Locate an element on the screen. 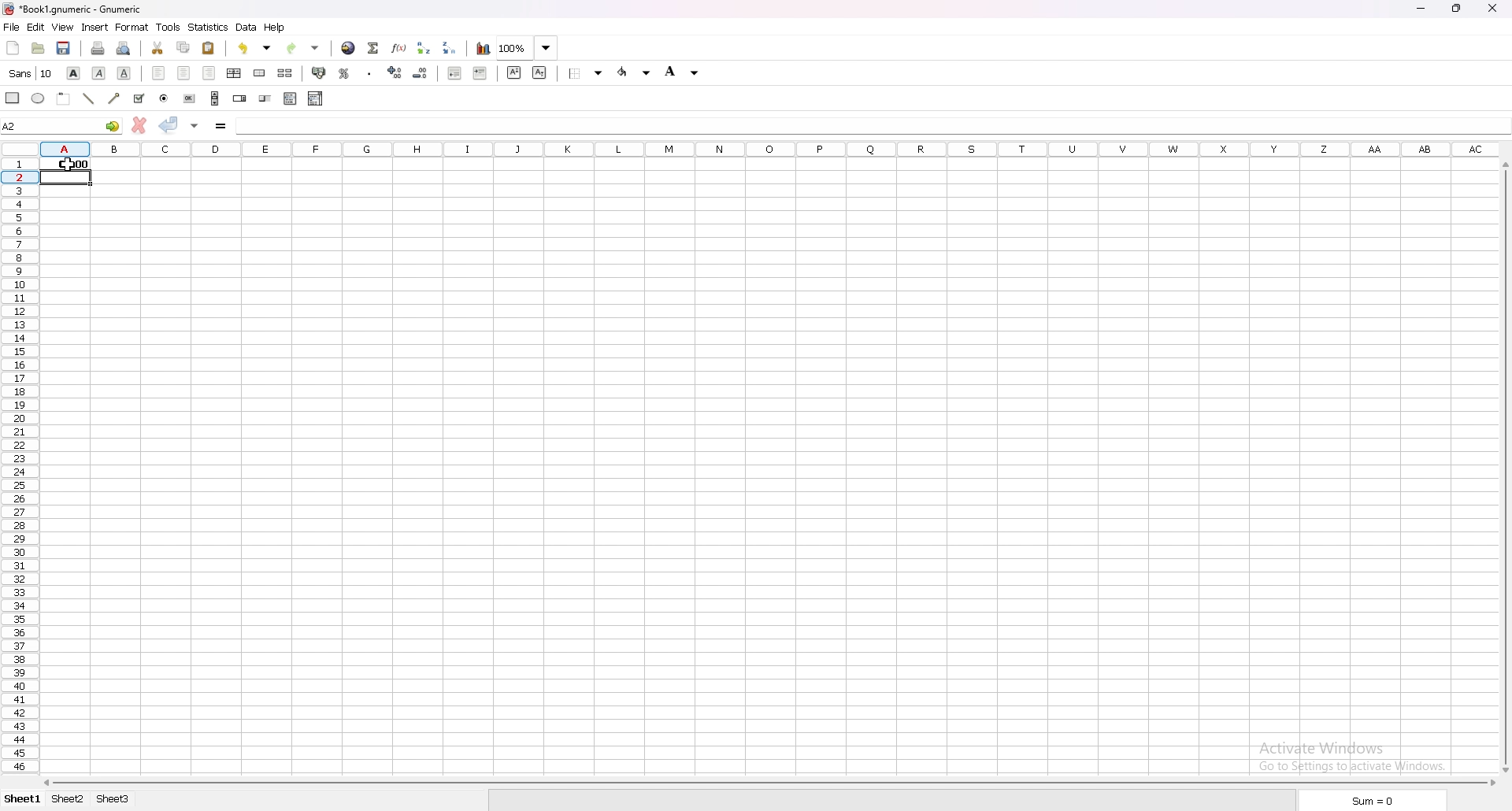 The width and height of the screenshot is (1512, 811). format is located at coordinates (133, 27).